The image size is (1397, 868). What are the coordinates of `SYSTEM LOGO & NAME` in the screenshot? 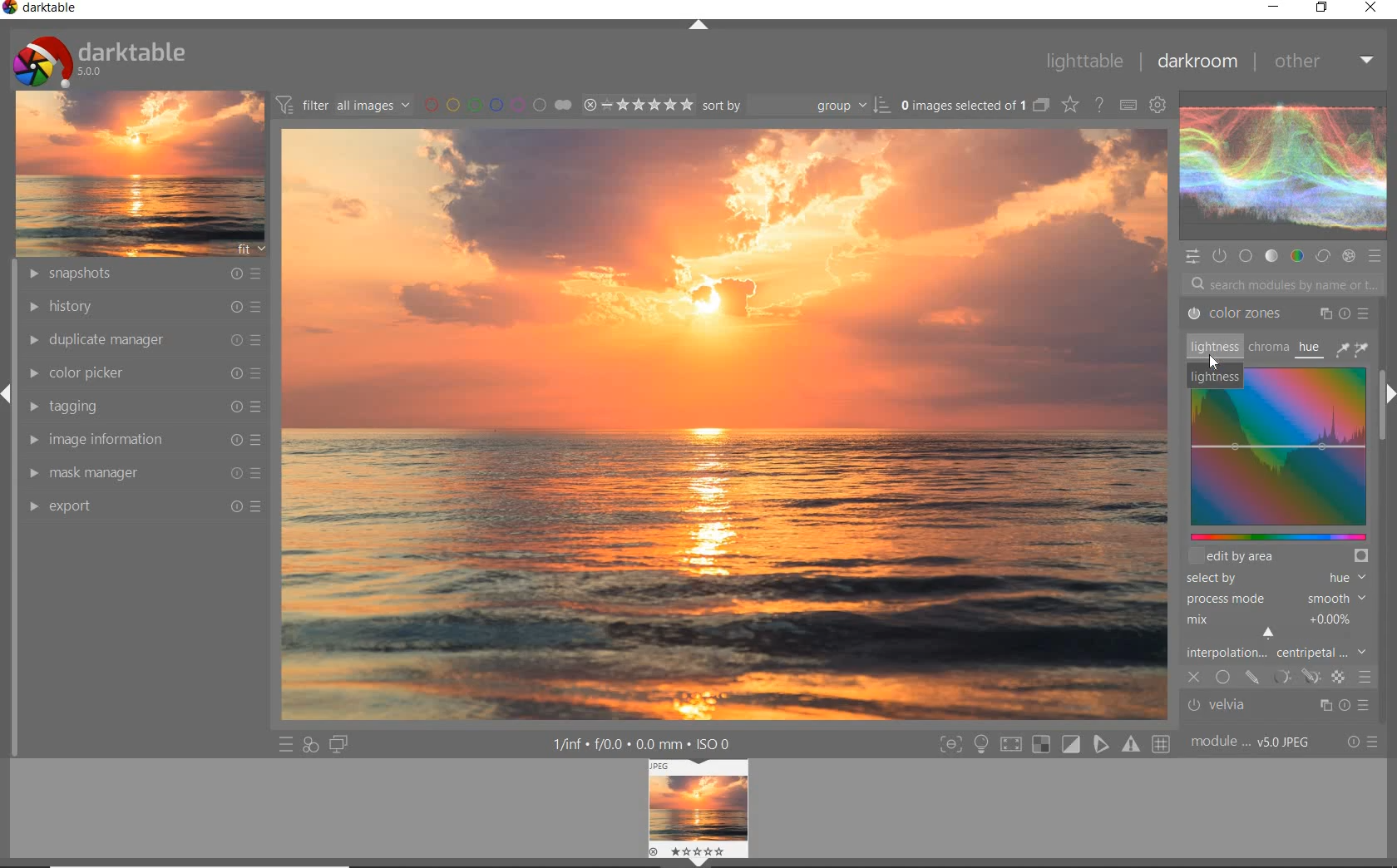 It's located at (99, 57).